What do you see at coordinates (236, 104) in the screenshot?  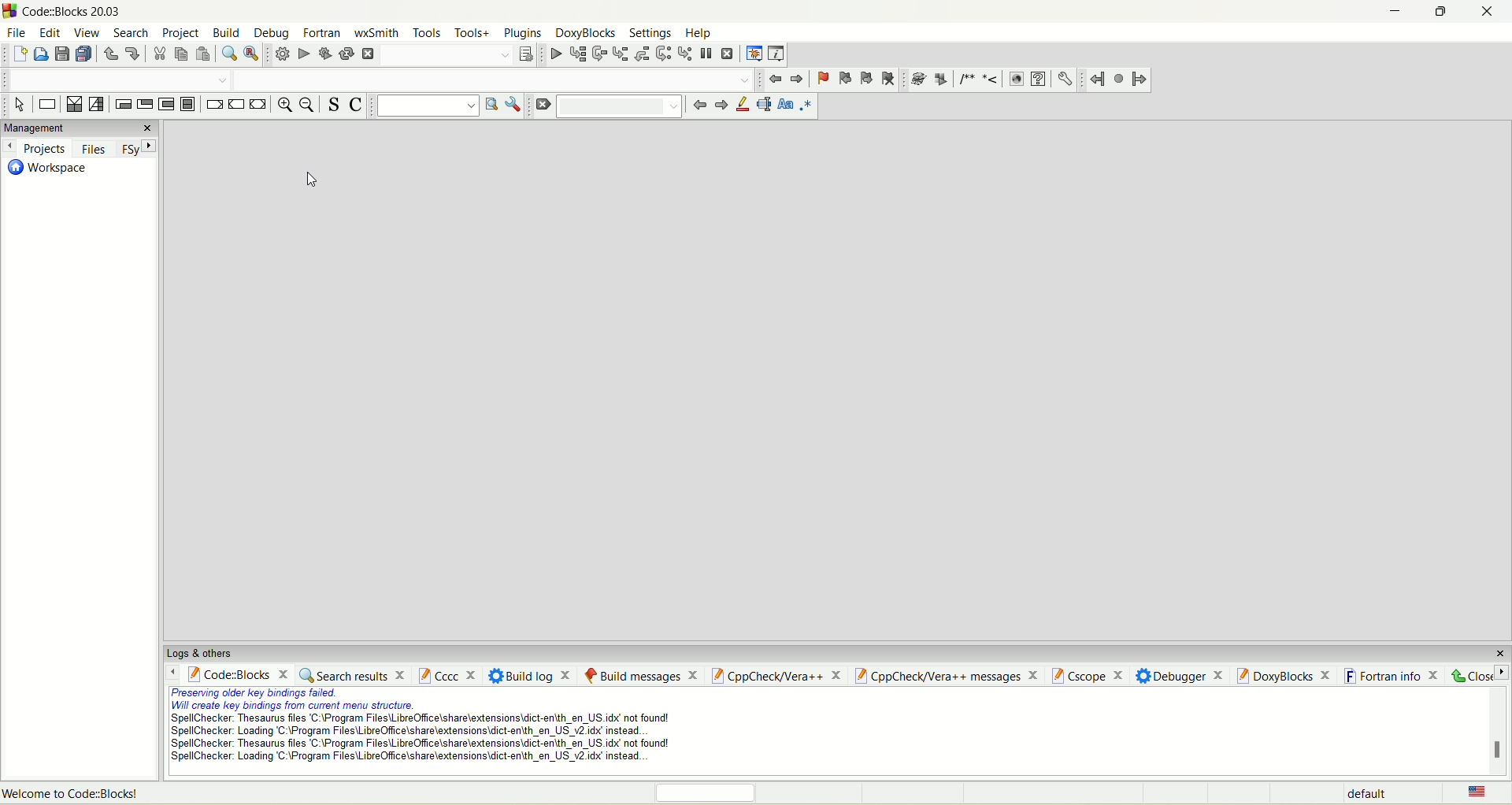 I see `continue instruction` at bounding box center [236, 104].